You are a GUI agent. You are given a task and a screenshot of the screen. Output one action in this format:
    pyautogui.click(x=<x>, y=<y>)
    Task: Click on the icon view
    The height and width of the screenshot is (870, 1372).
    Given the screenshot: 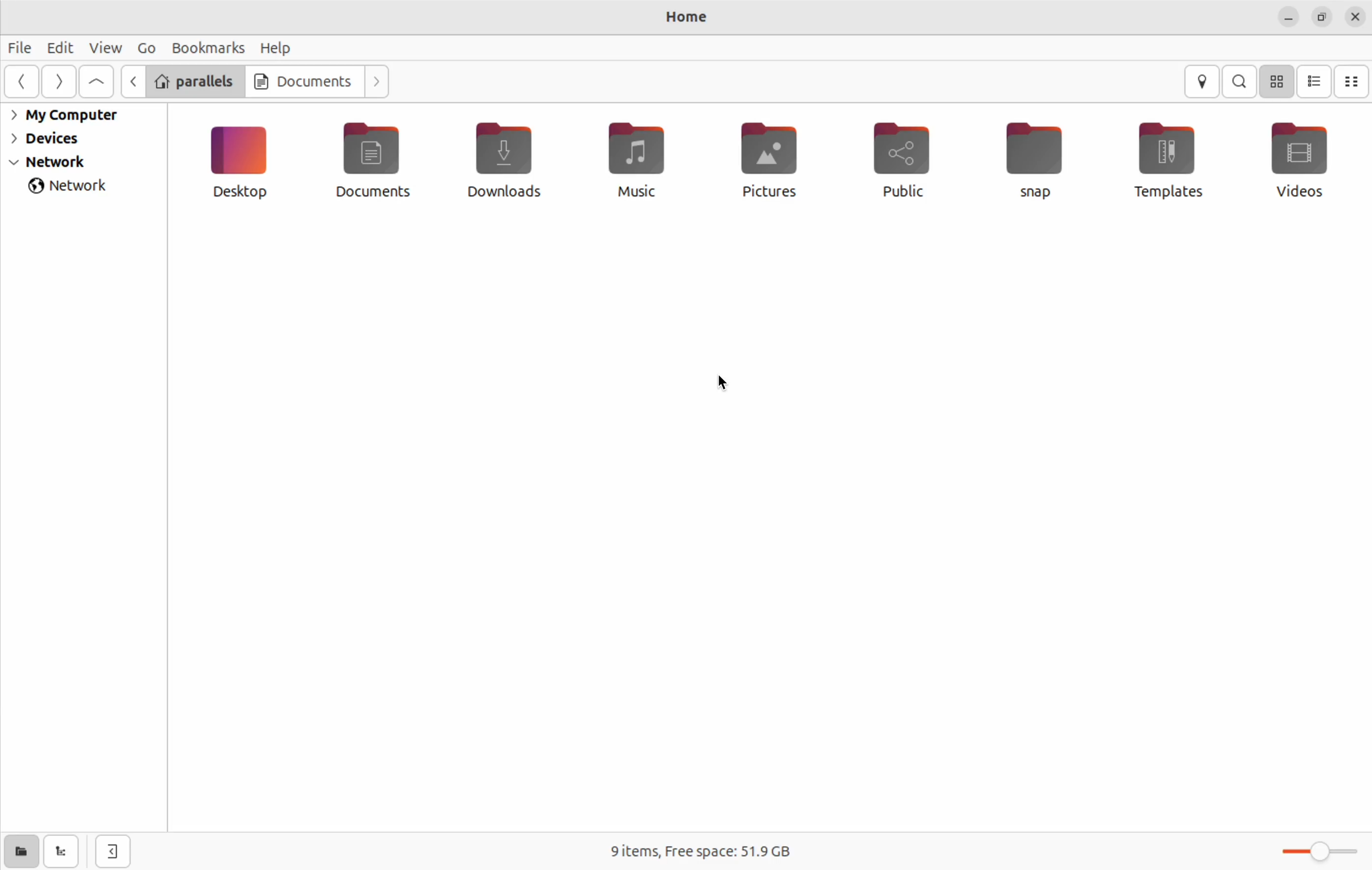 What is the action you would take?
    pyautogui.click(x=1279, y=81)
    